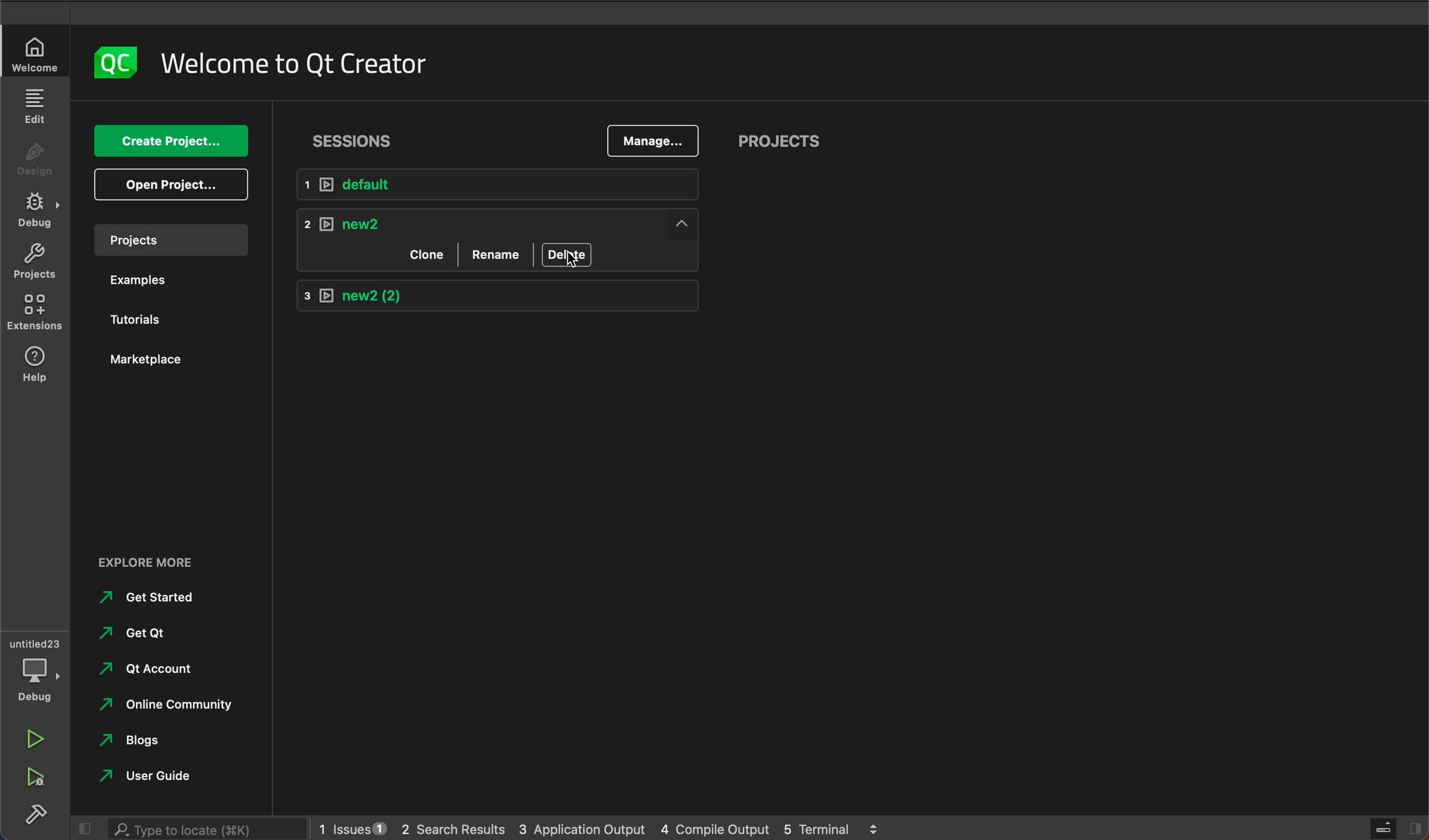 The height and width of the screenshot is (840, 1429). Describe the element at coordinates (33, 366) in the screenshot. I see `help` at that location.